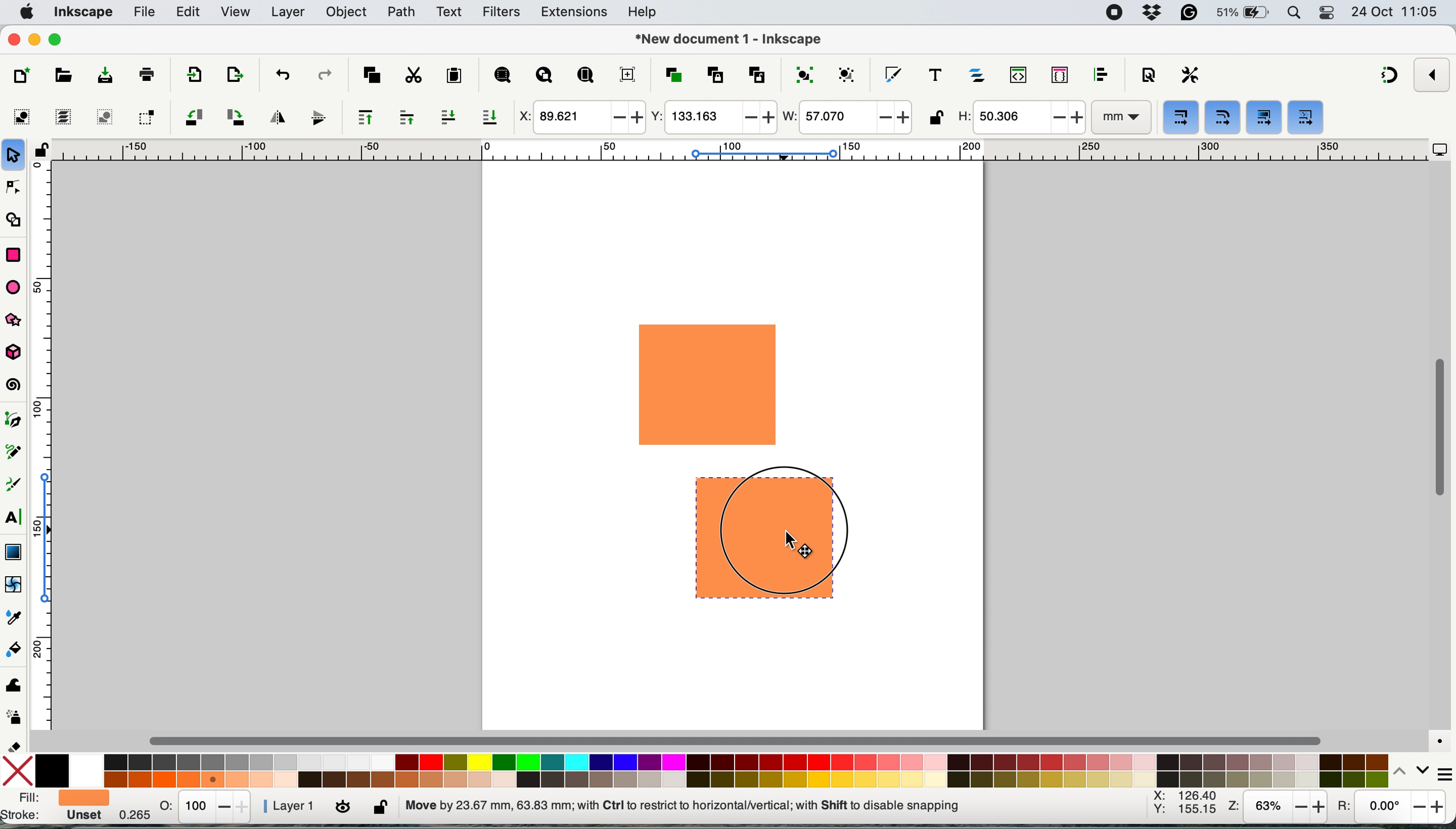  I want to click on raise selection to top, so click(360, 117).